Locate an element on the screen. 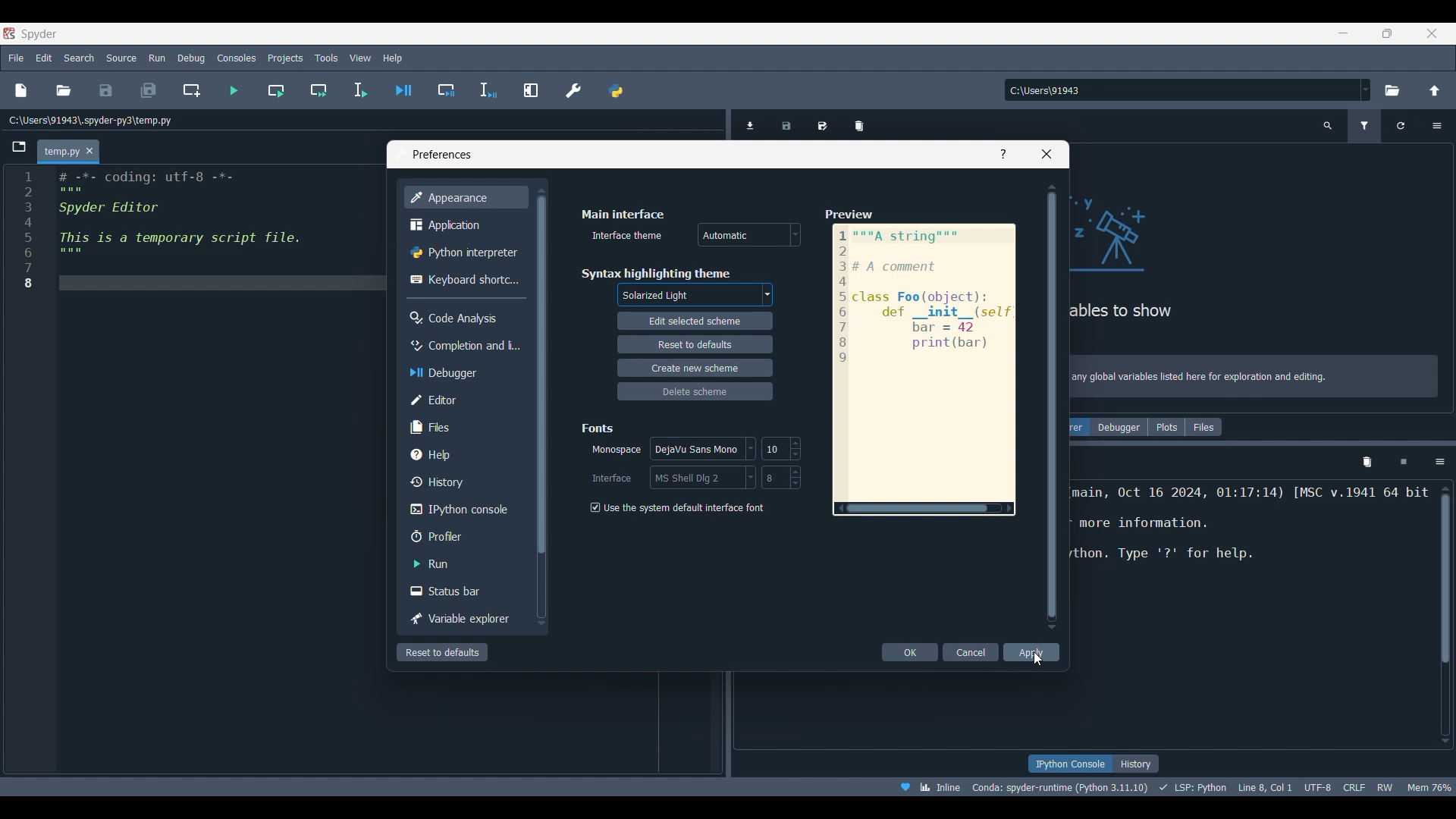 This screenshot has width=1456, height=819. monospace font options is located at coordinates (701, 447).